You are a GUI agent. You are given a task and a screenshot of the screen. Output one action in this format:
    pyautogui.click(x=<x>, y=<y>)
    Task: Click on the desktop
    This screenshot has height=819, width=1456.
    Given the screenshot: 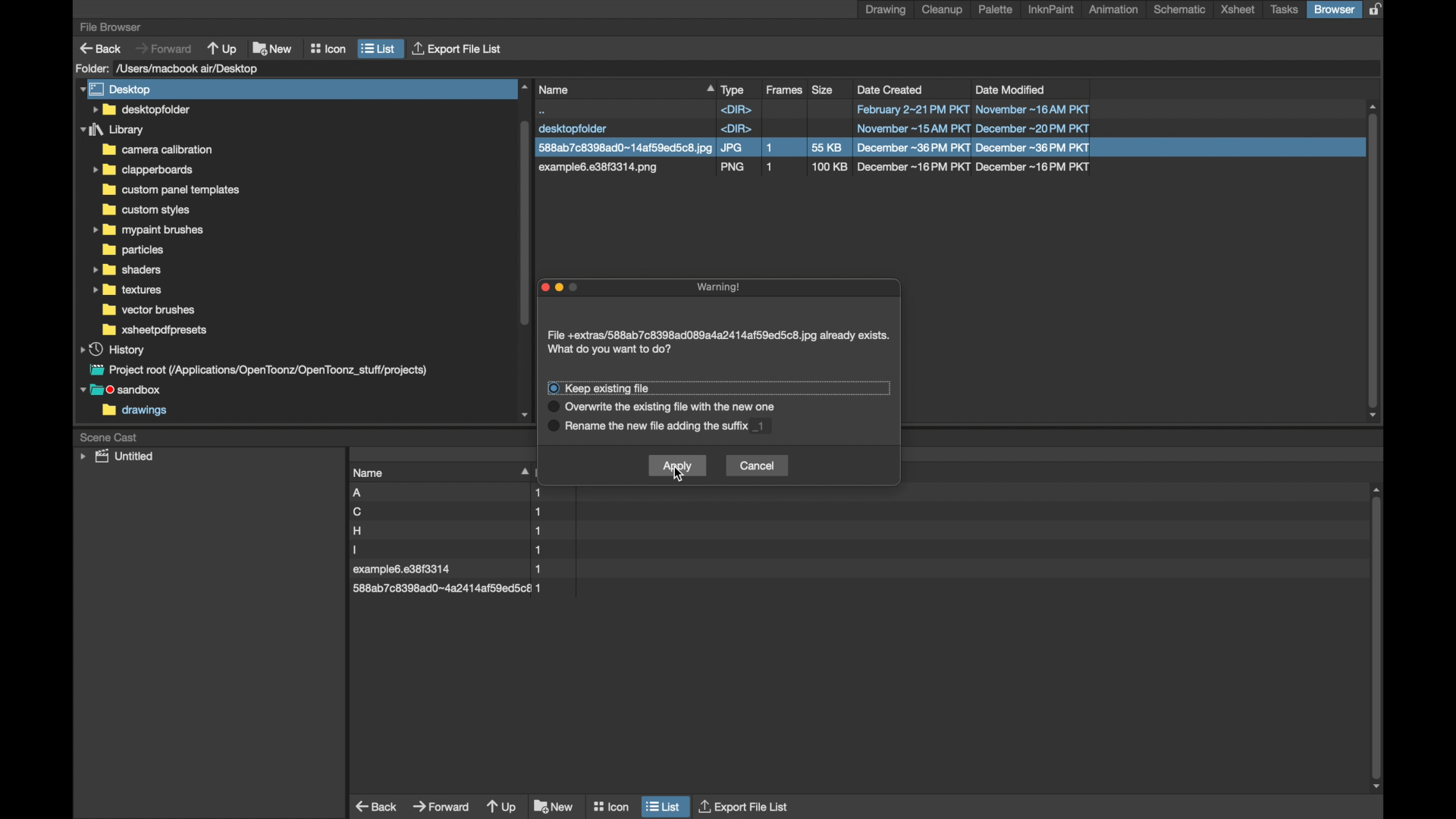 What is the action you would take?
    pyautogui.click(x=118, y=89)
    